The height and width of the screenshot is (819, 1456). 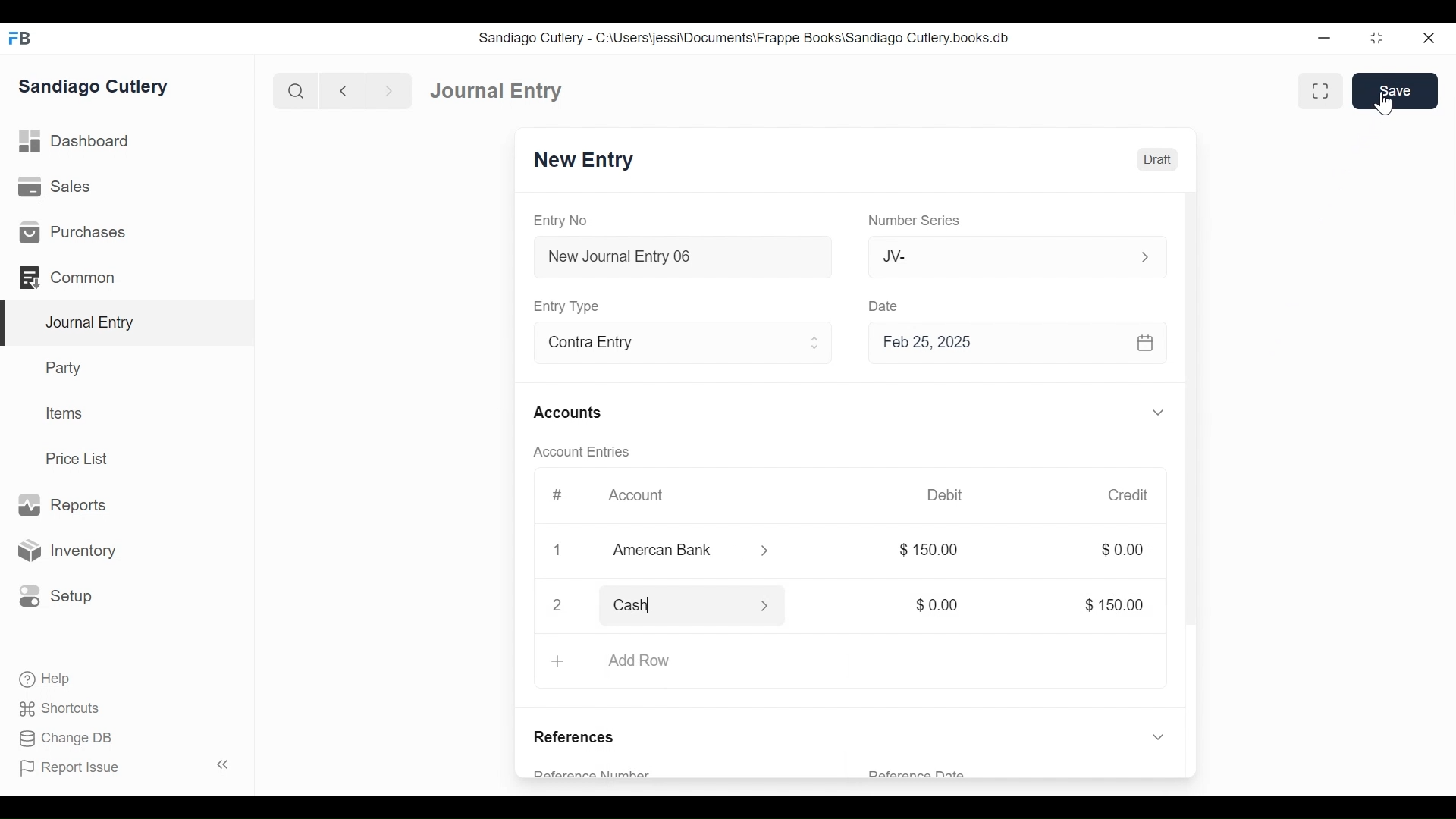 I want to click on Change DB, so click(x=68, y=740).